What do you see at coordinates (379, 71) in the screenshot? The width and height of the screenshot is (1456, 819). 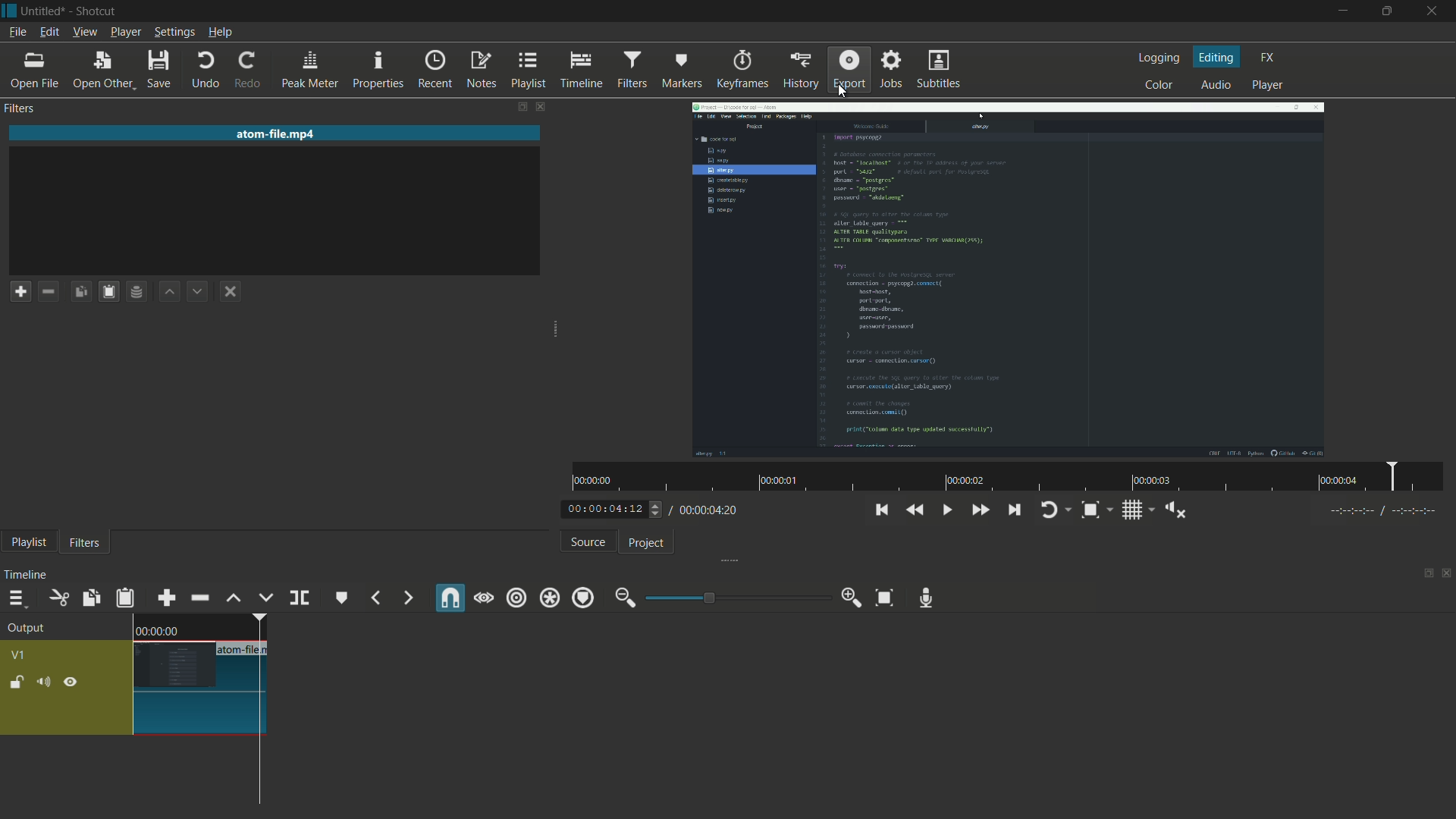 I see `properties` at bounding box center [379, 71].